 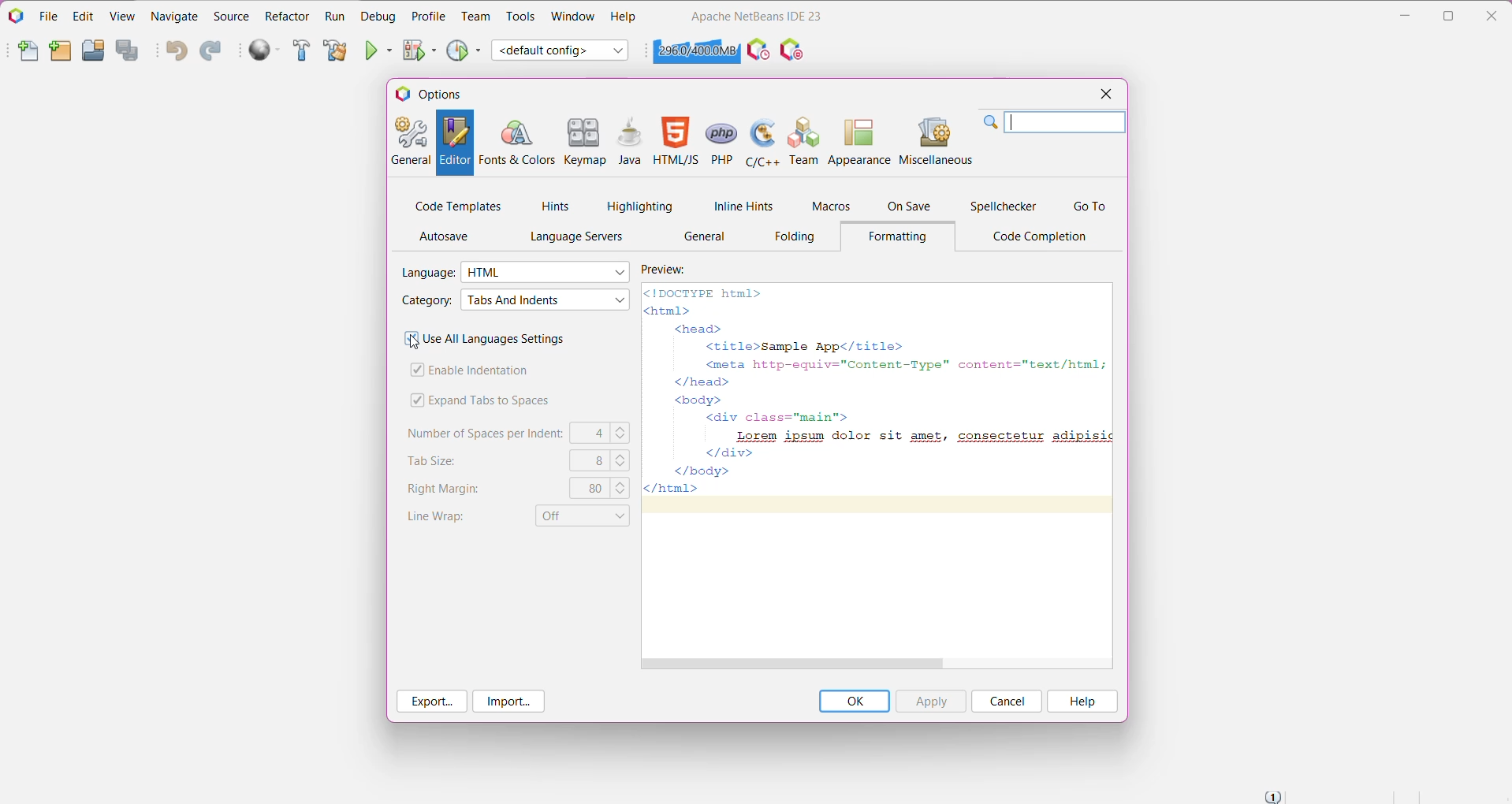 What do you see at coordinates (92, 50) in the screenshot?
I see `Open Project` at bounding box center [92, 50].